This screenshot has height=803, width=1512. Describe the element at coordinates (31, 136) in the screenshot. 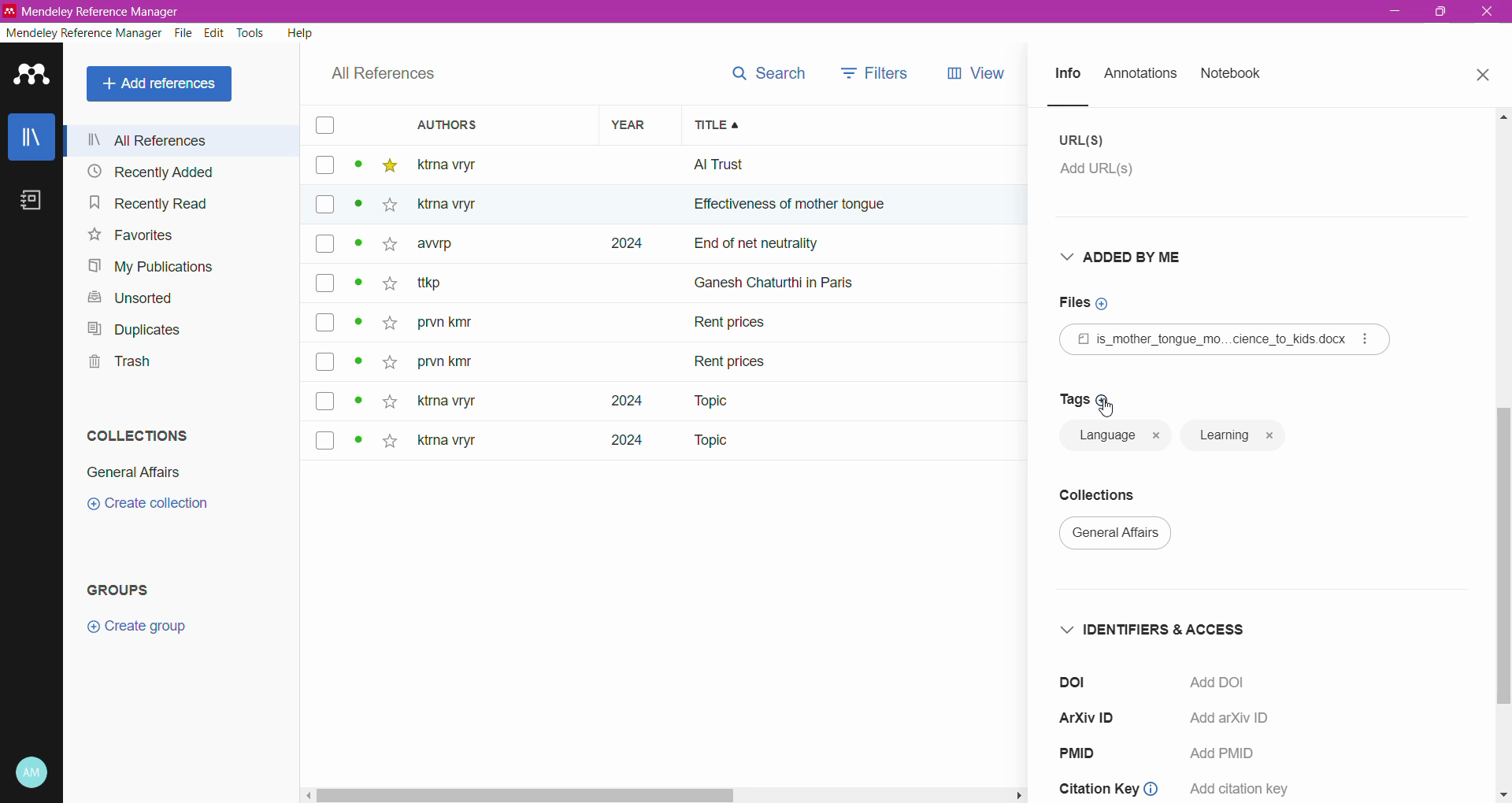

I see `Library` at that location.